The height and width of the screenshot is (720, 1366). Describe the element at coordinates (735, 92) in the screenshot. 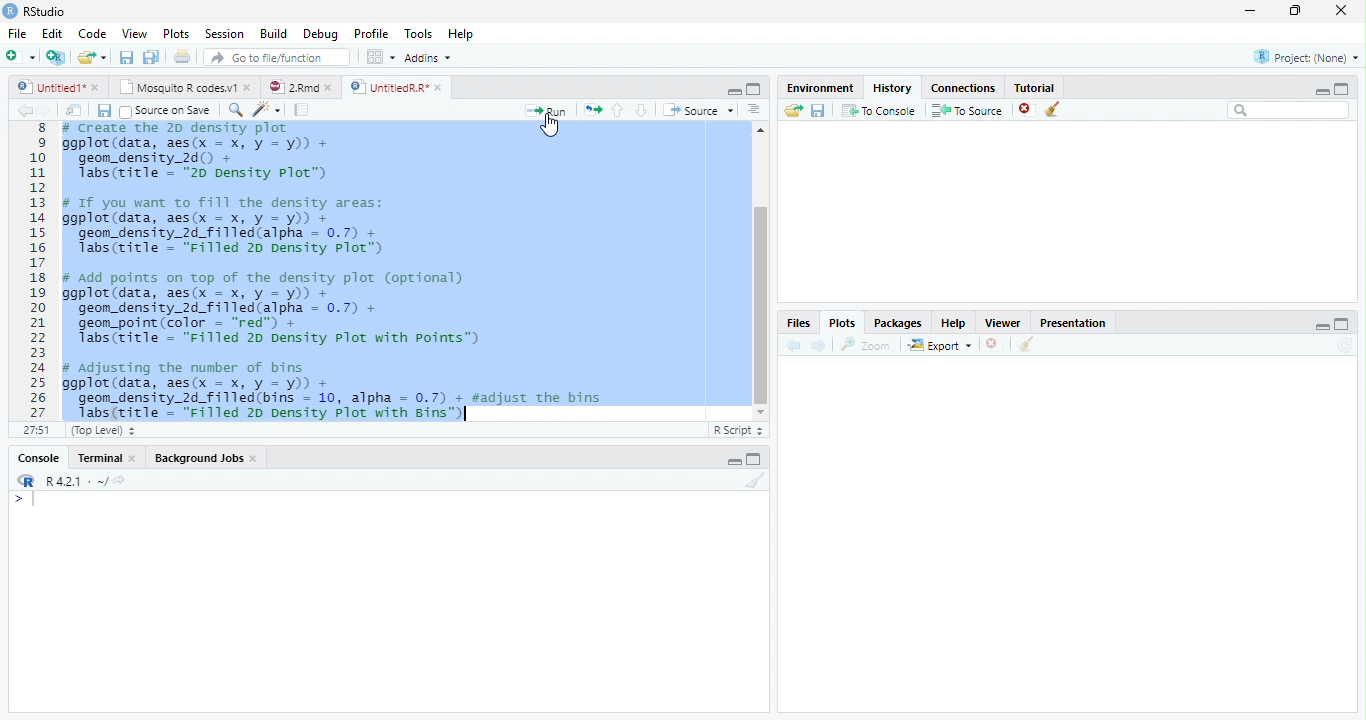

I see `minimize` at that location.